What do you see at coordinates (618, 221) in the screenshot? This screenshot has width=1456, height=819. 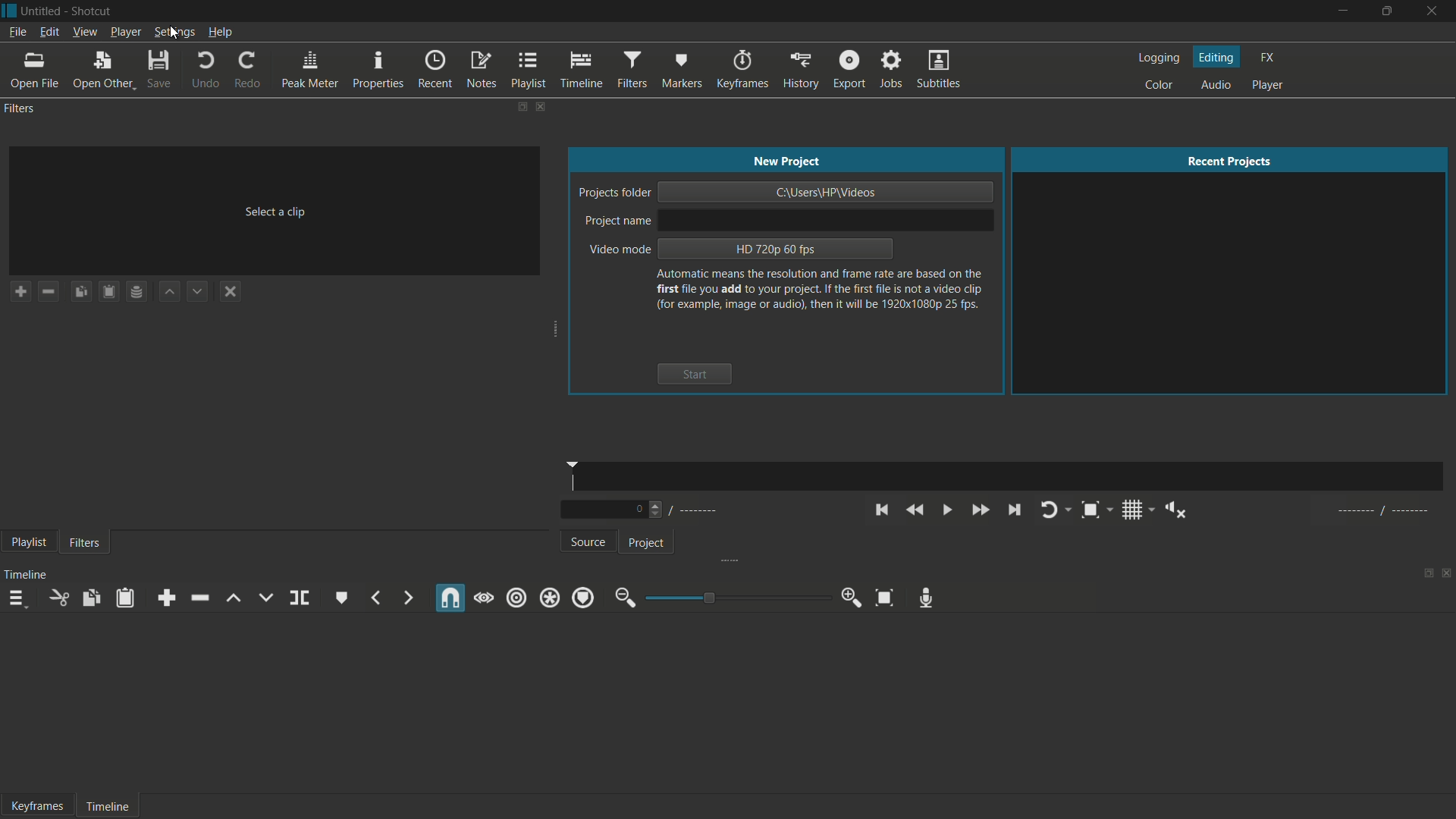 I see `project name` at bounding box center [618, 221].